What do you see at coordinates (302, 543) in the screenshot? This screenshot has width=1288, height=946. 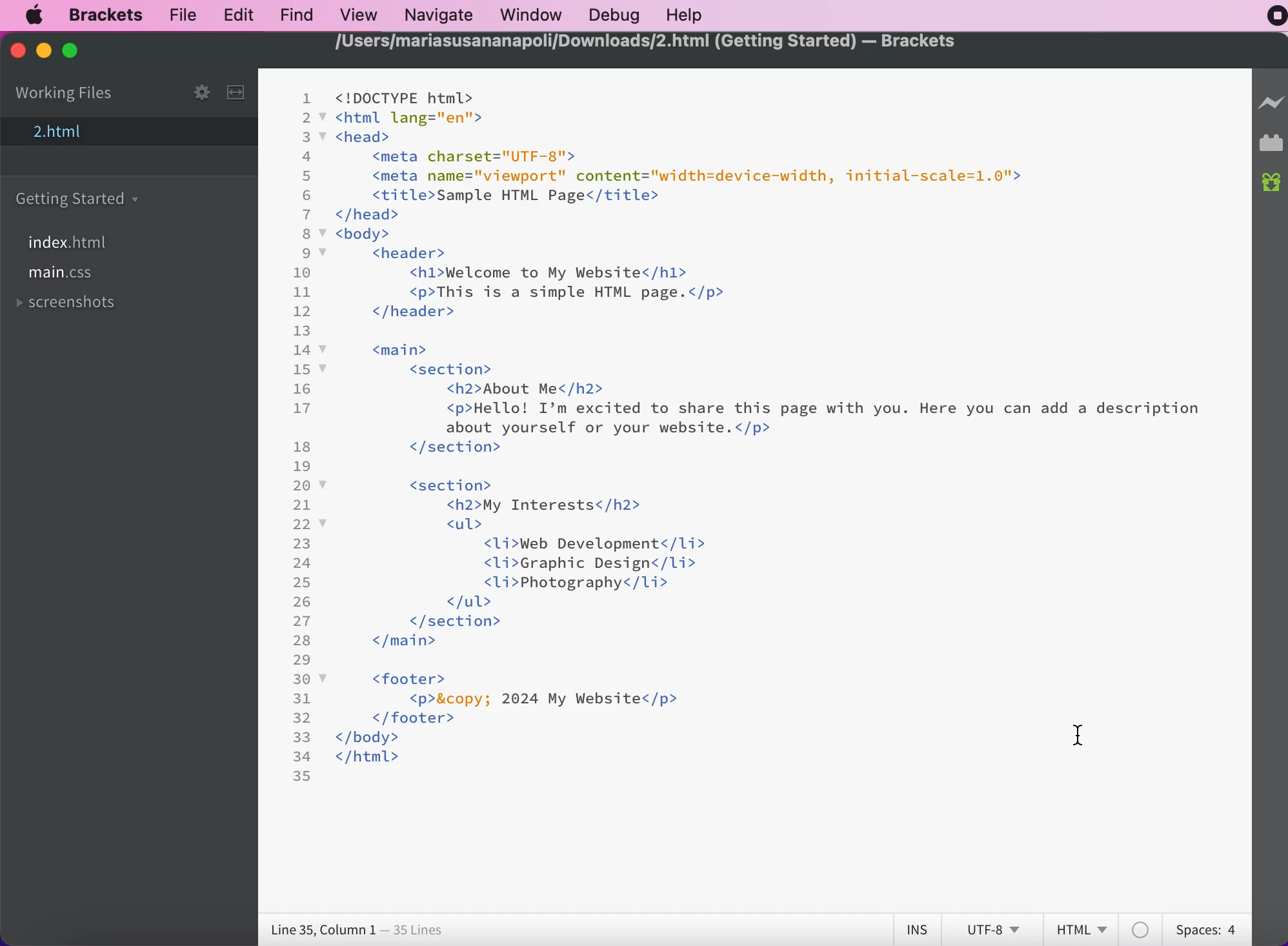 I see `23` at bounding box center [302, 543].